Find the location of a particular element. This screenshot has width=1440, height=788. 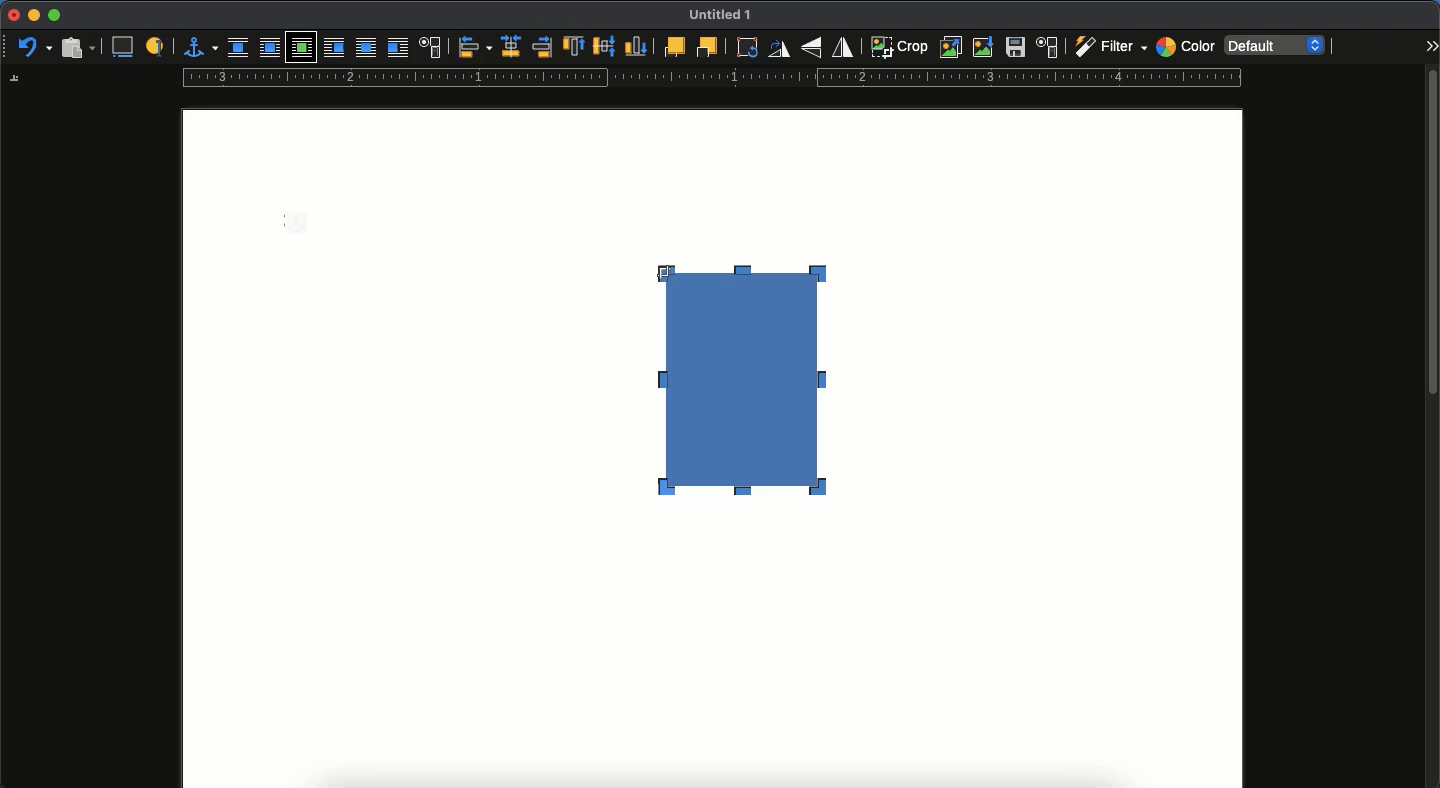

default is located at coordinates (1277, 44).